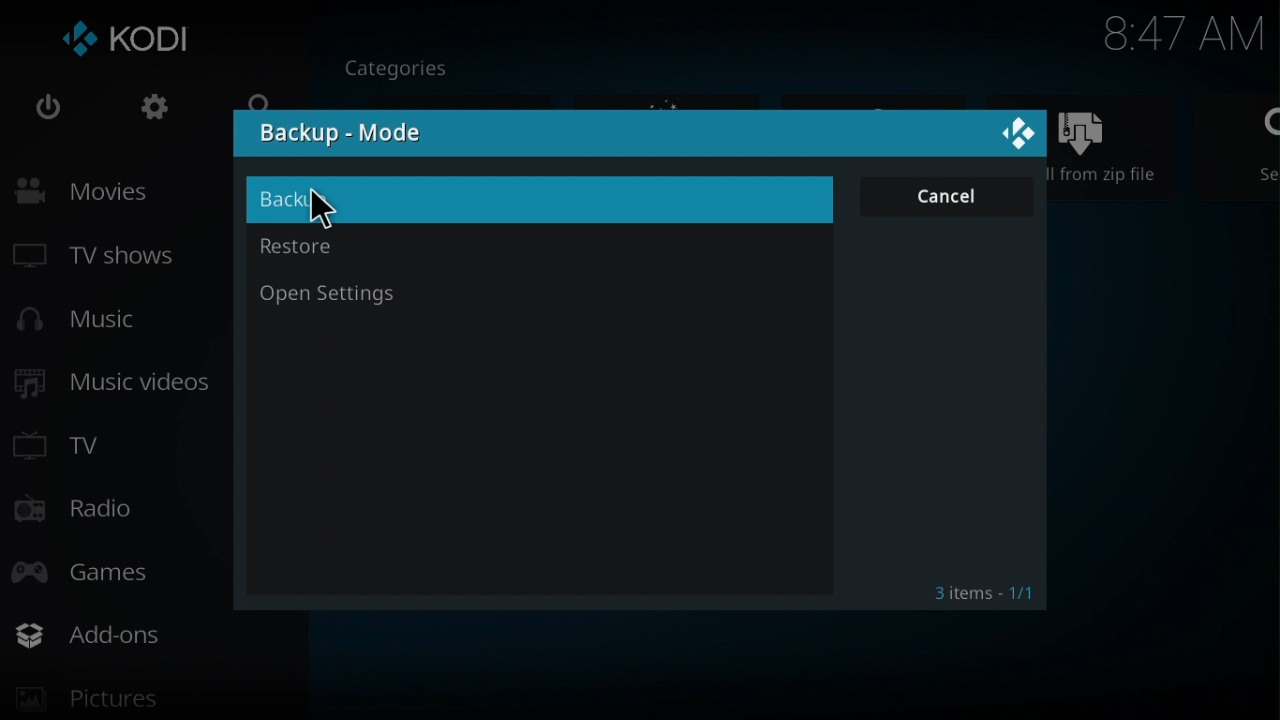 The height and width of the screenshot is (720, 1280). What do you see at coordinates (119, 384) in the screenshot?
I see `Music videos` at bounding box center [119, 384].